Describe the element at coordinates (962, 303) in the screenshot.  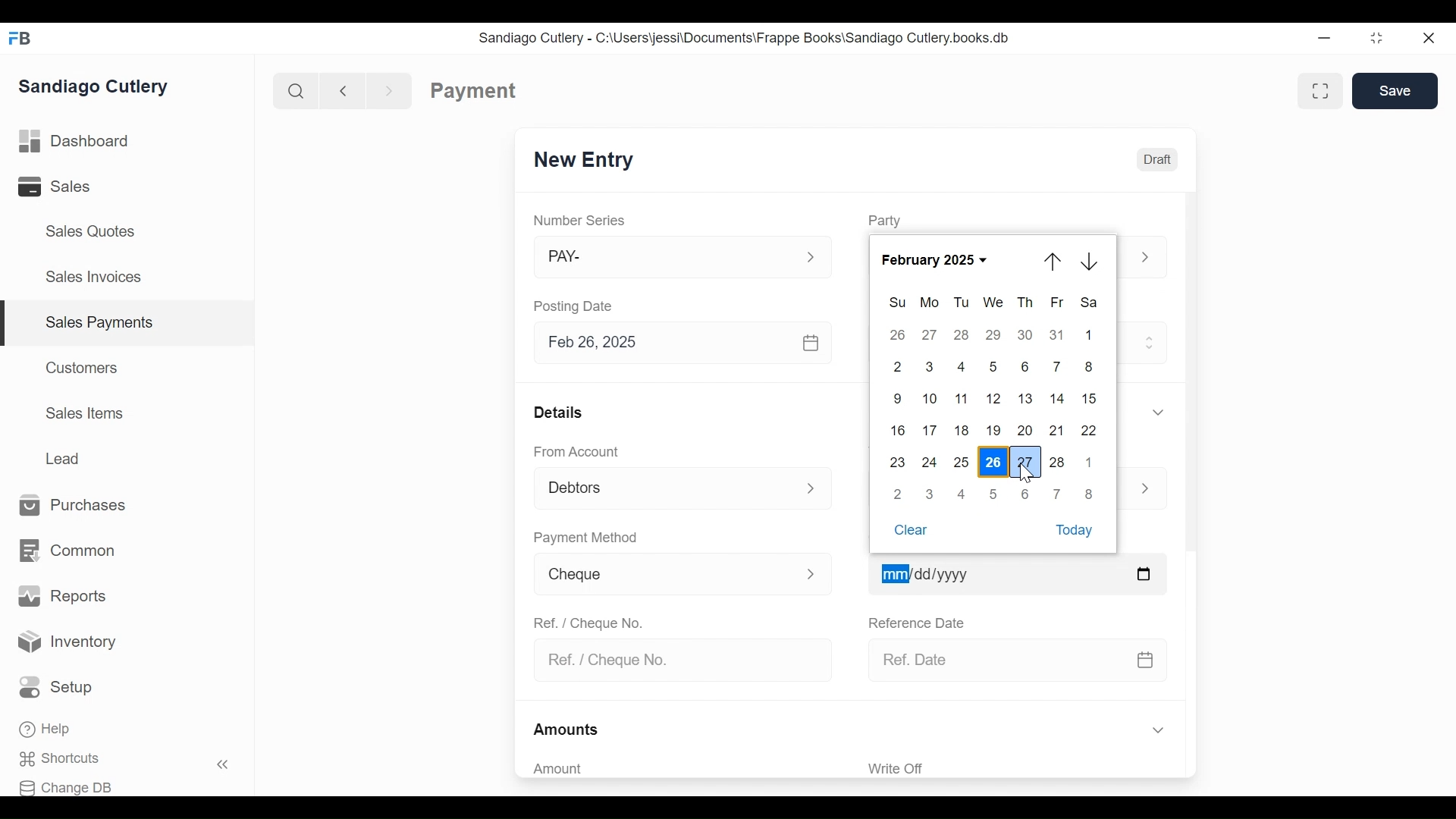
I see `Tu` at that location.